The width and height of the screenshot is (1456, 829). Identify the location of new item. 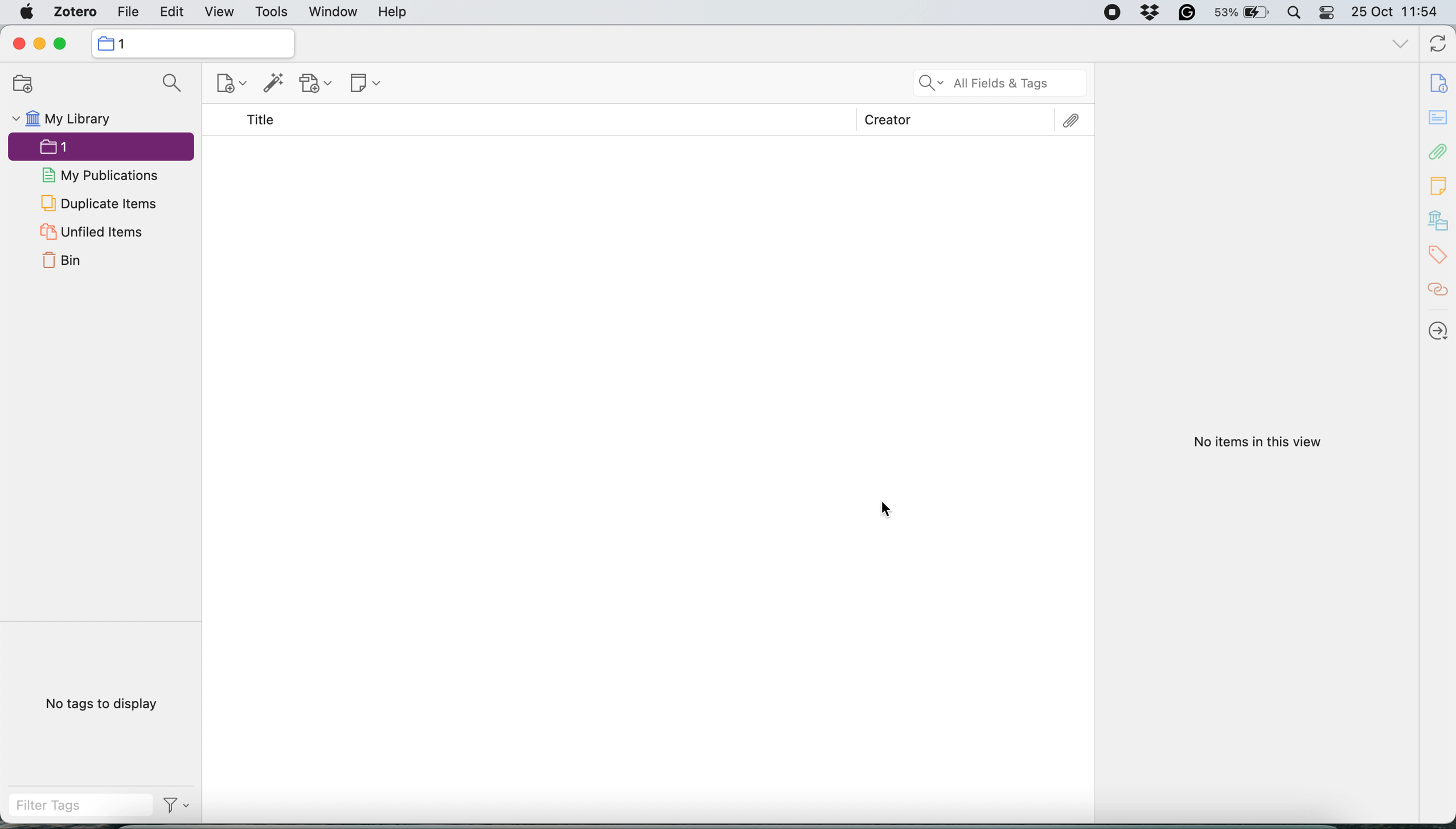
(229, 82).